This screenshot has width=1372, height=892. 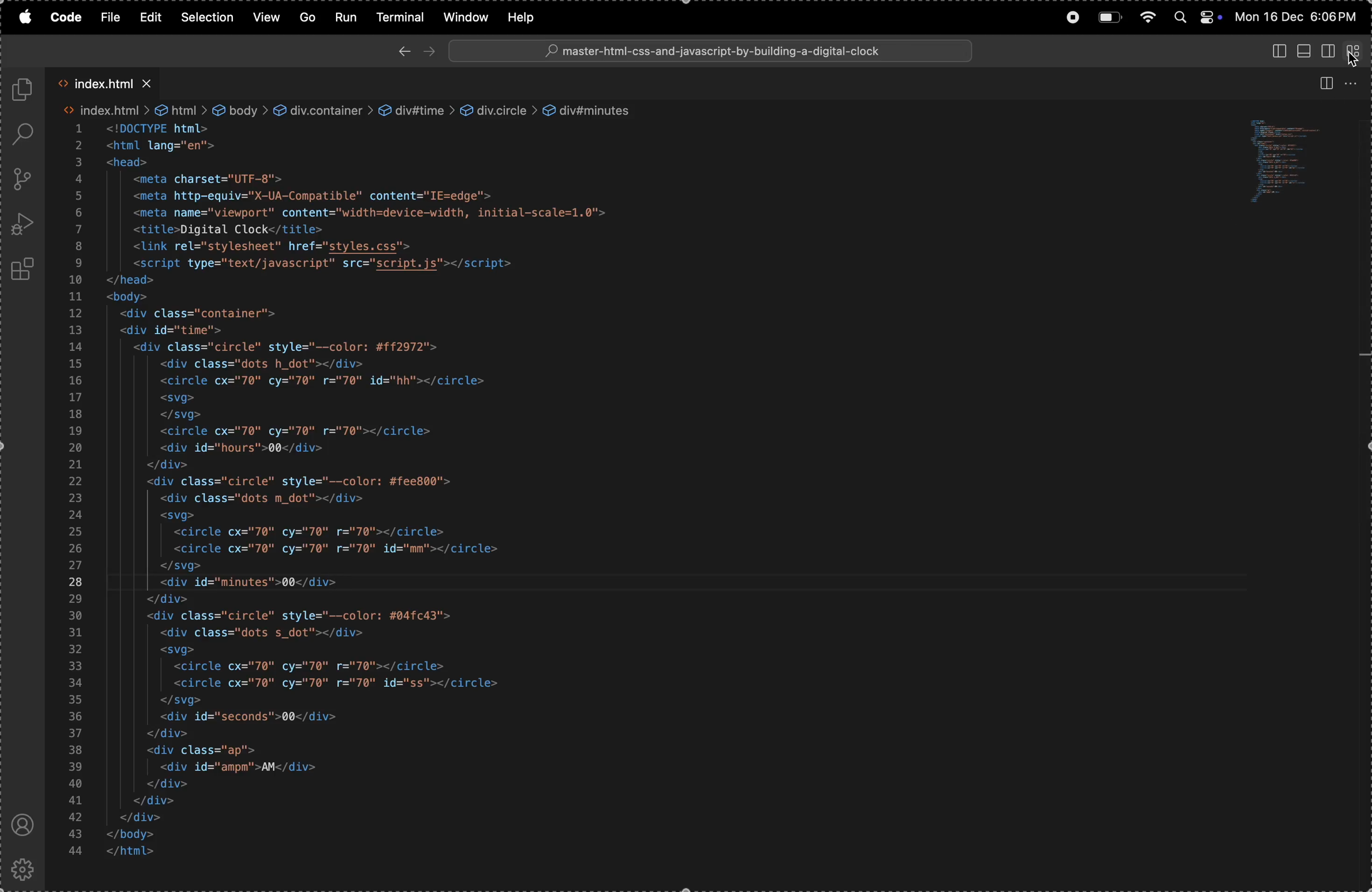 What do you see at coordinates (404, 50) in the screenshot?
I see `back ward` at bounding box center [404, 50].